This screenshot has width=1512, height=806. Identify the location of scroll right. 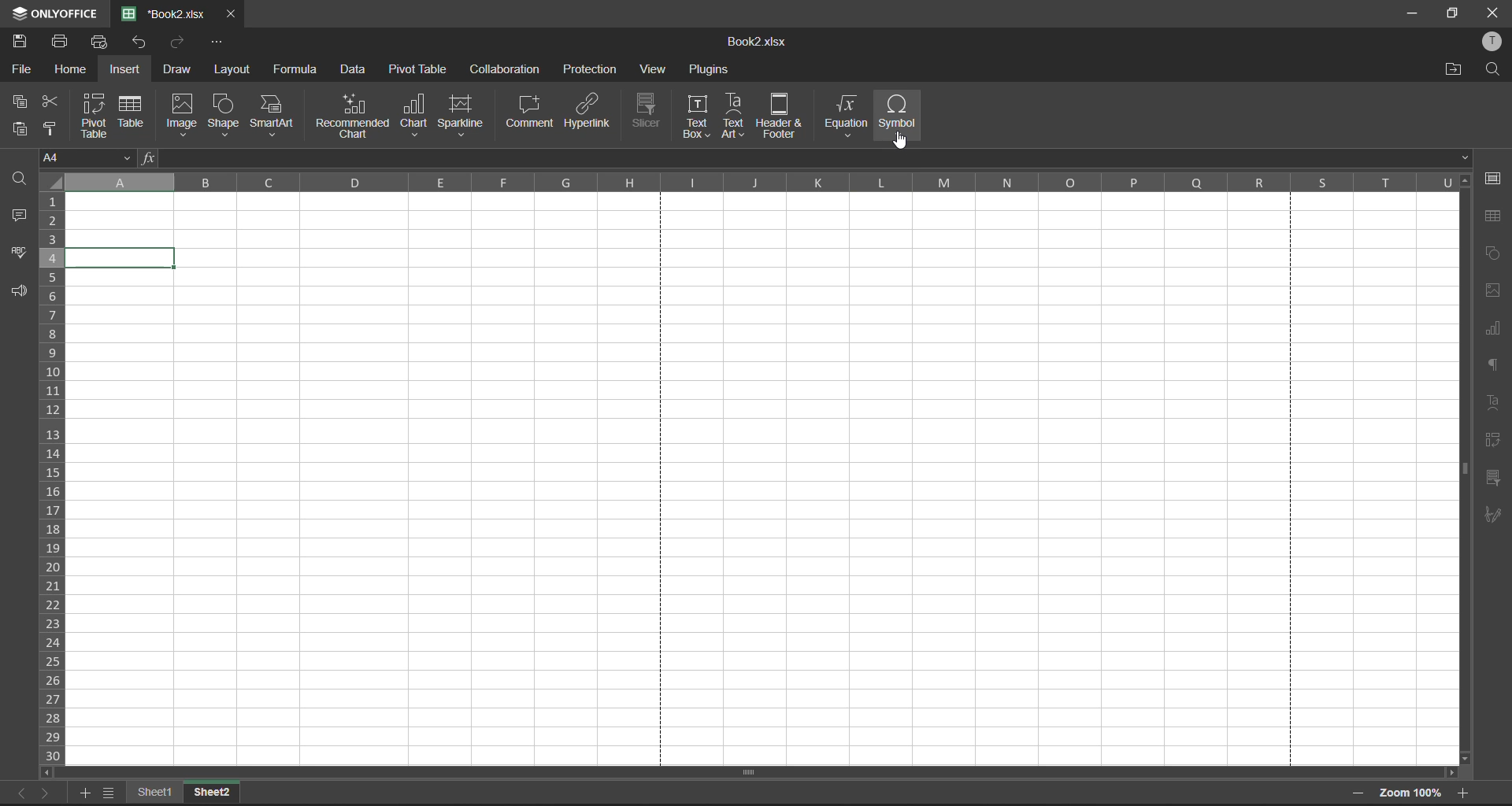
(1449, 773).